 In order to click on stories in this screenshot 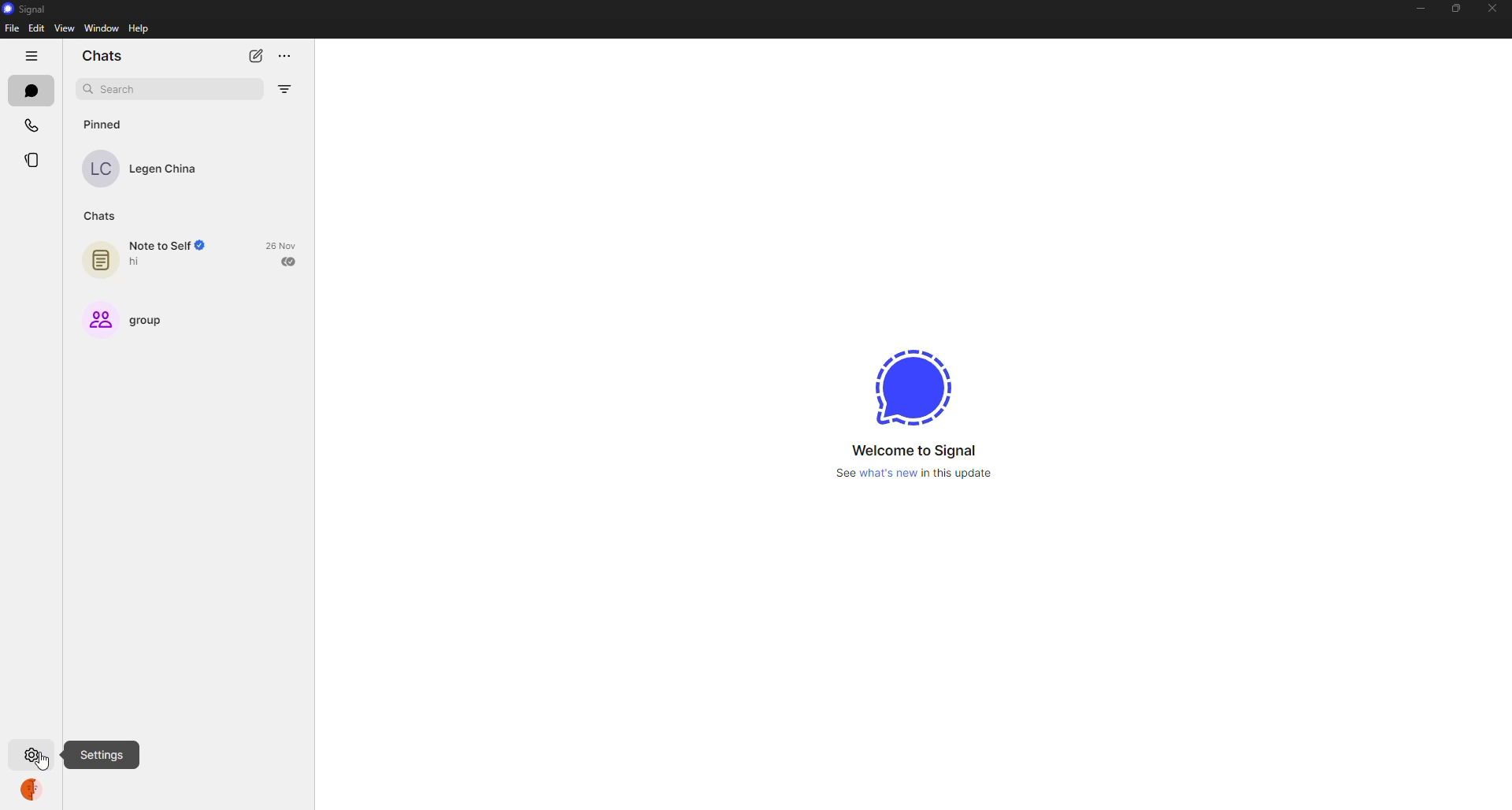, I will do `click(39, 160)`.